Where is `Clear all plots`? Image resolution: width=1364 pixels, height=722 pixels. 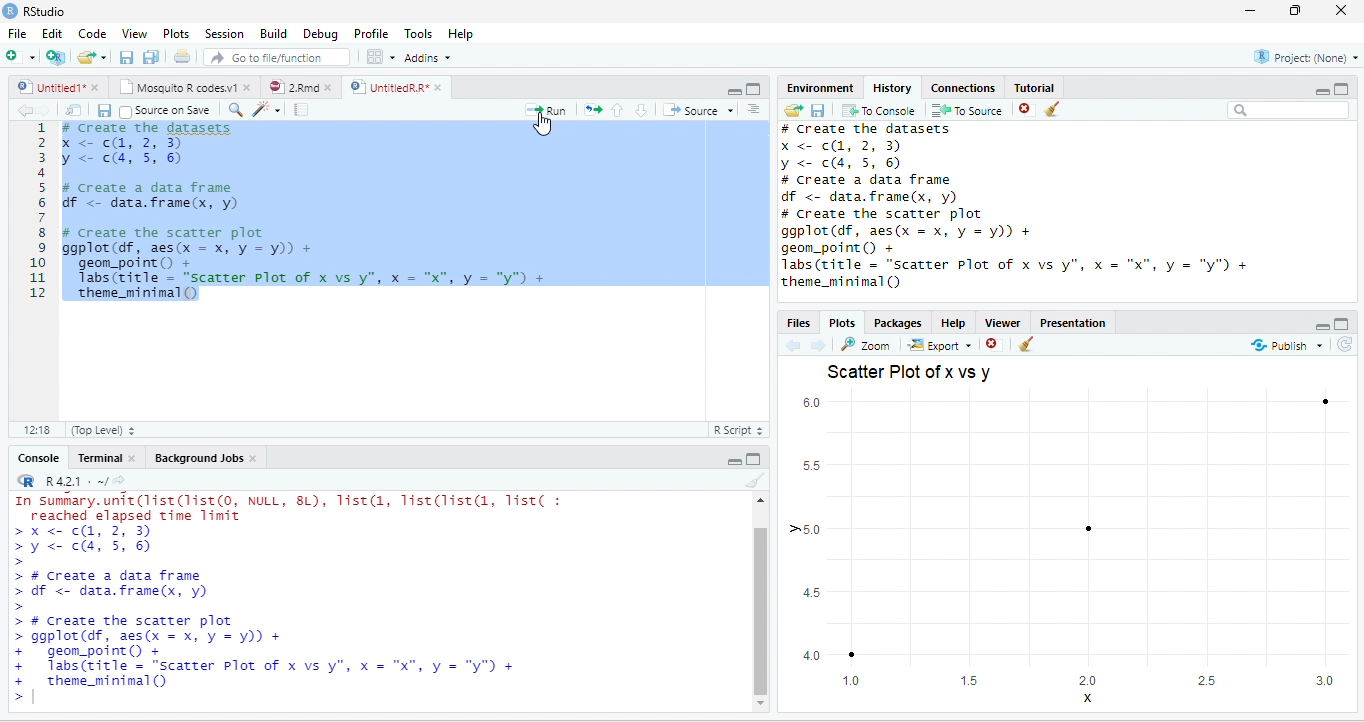 Clear all plots is located at coordinates (1027, 344).